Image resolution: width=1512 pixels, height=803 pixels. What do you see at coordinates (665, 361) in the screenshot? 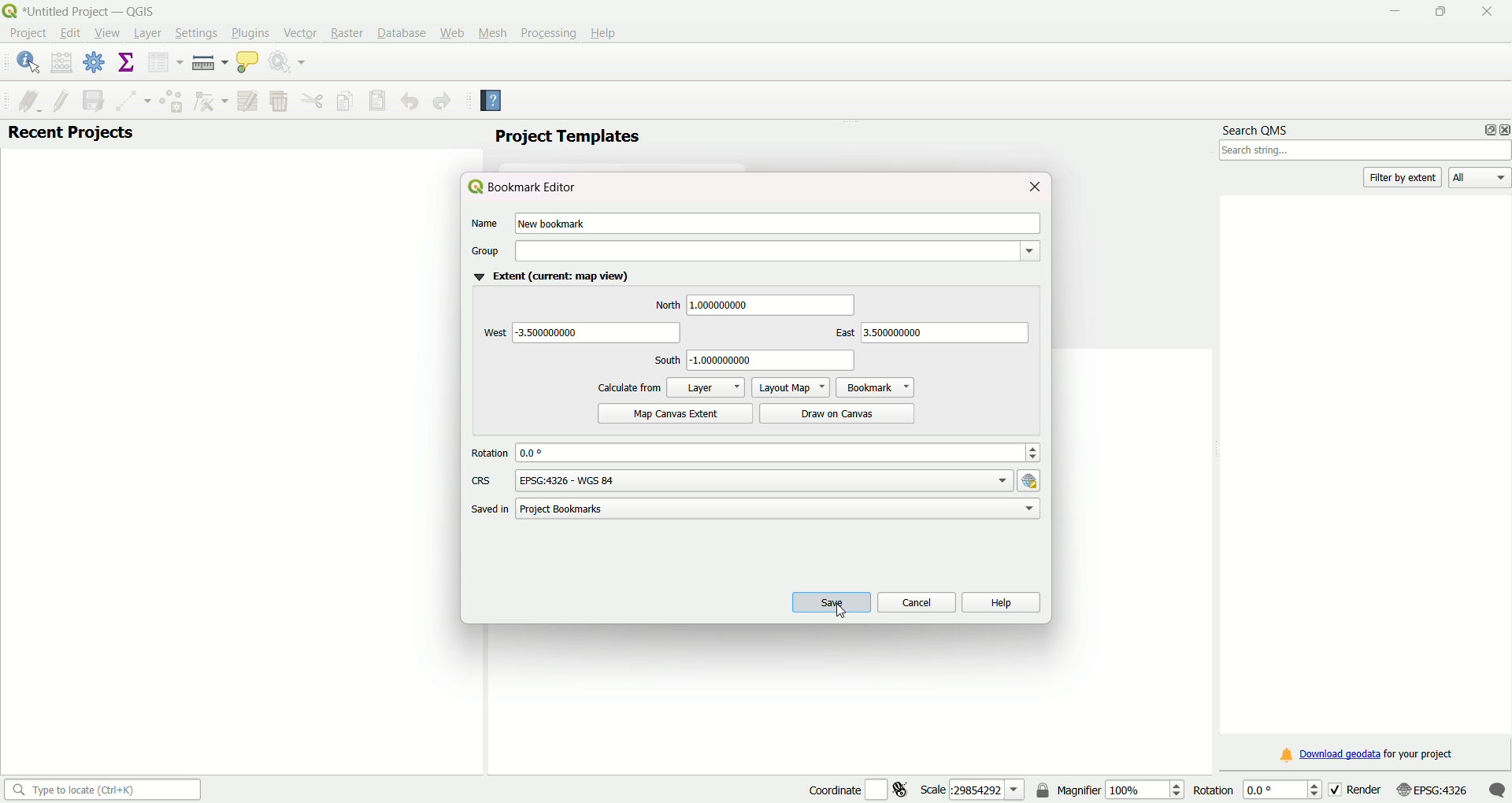
I see `south` at bounding box center [665, 361].